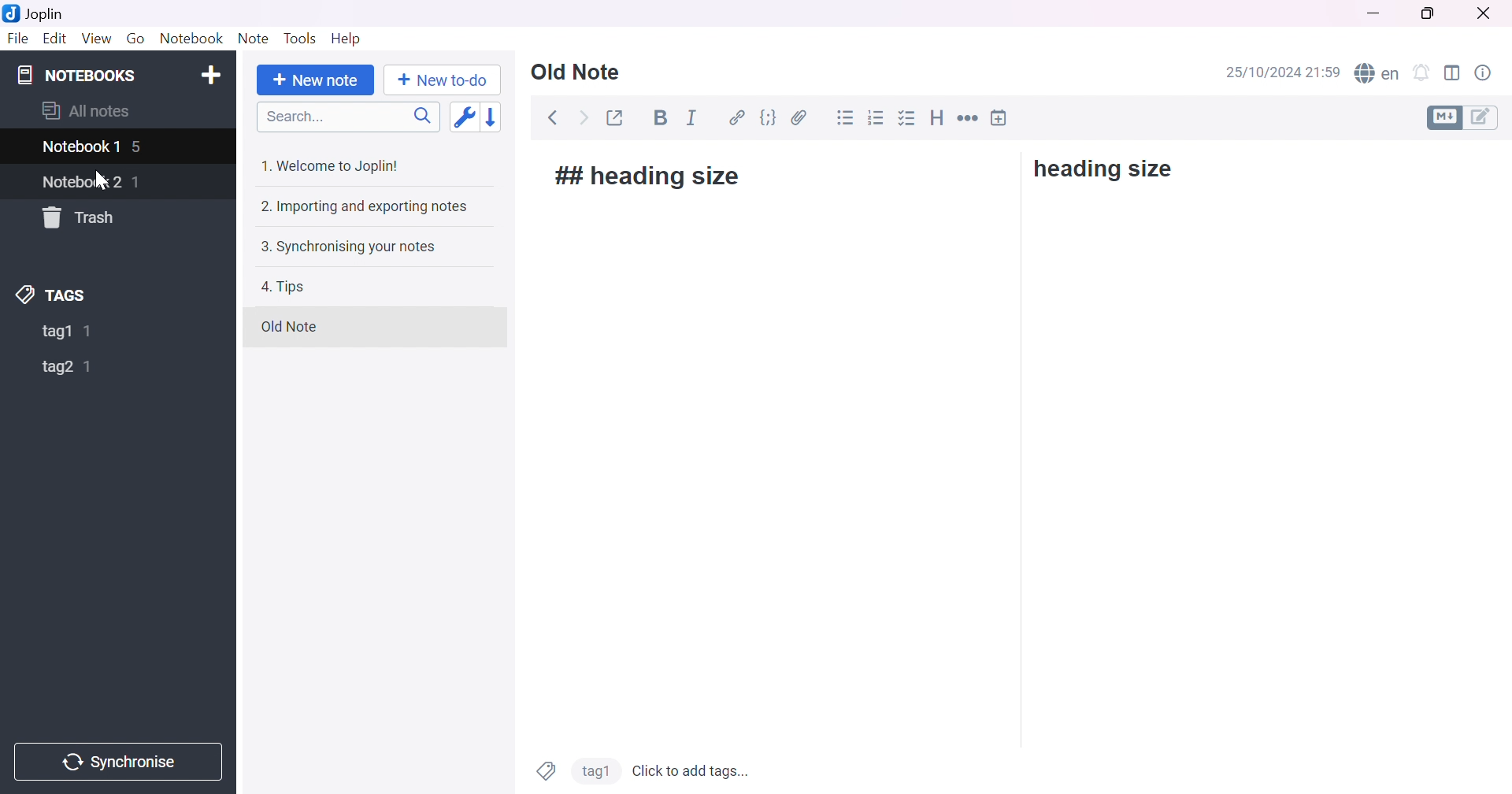 The width and height of the screenshot is (1512, 794). Describe the element at coordinates (650, 176) in the screenshot. I see `## heading size` at that location.